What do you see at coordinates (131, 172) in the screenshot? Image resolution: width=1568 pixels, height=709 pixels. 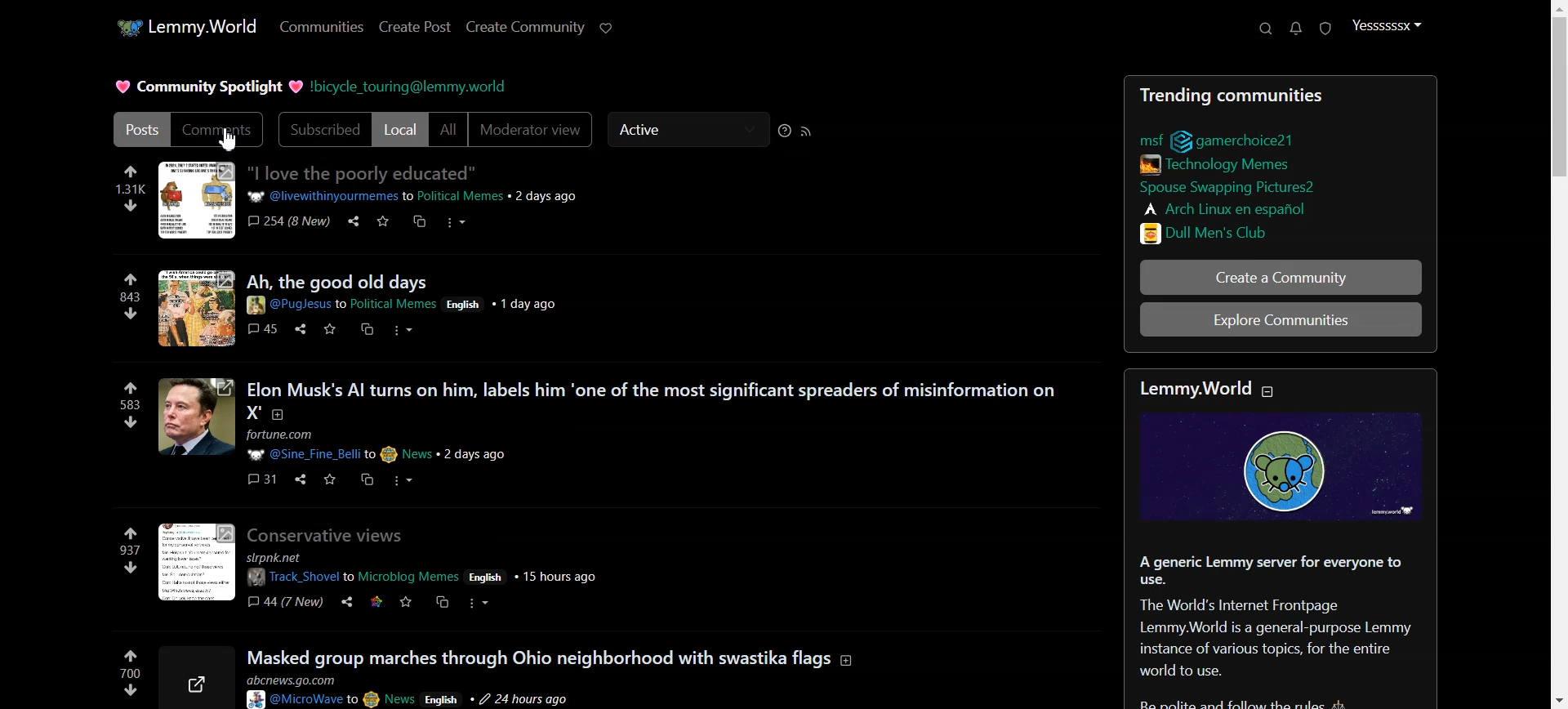 I see `upvote` at bounding box center [131, 172].